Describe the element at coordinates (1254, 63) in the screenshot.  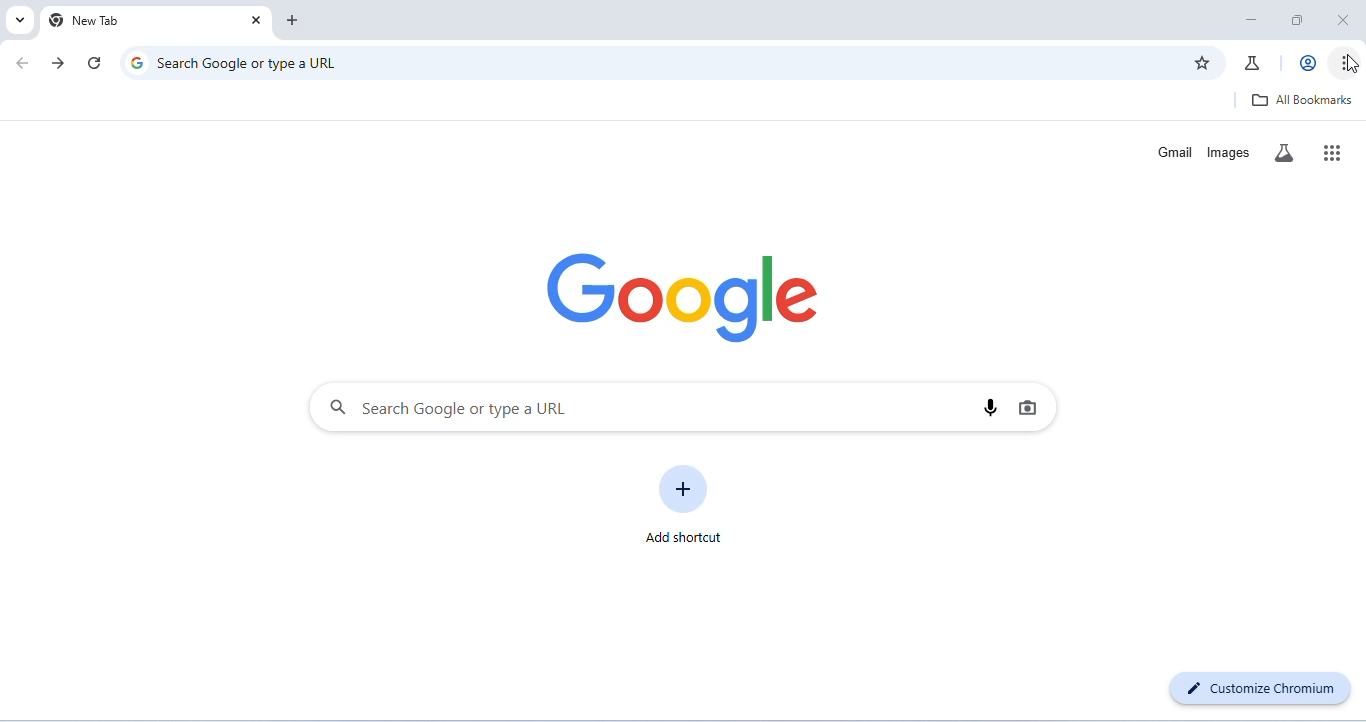
I see `chrome labs` at that location.